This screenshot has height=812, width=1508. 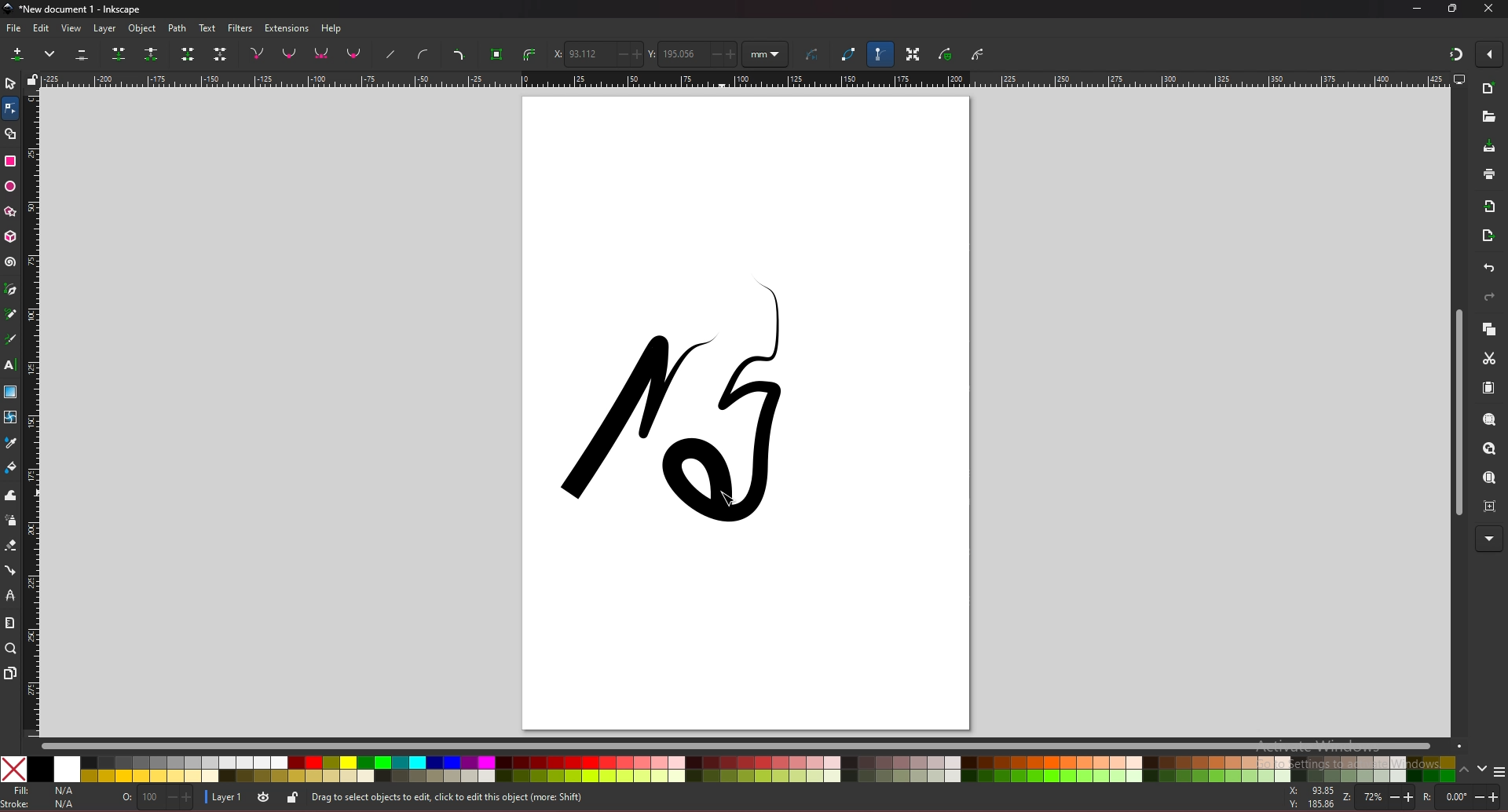 What do you see at coordinates (12, 596) in the screenshot?
I see `lpe` at bounding box center [12, 596].